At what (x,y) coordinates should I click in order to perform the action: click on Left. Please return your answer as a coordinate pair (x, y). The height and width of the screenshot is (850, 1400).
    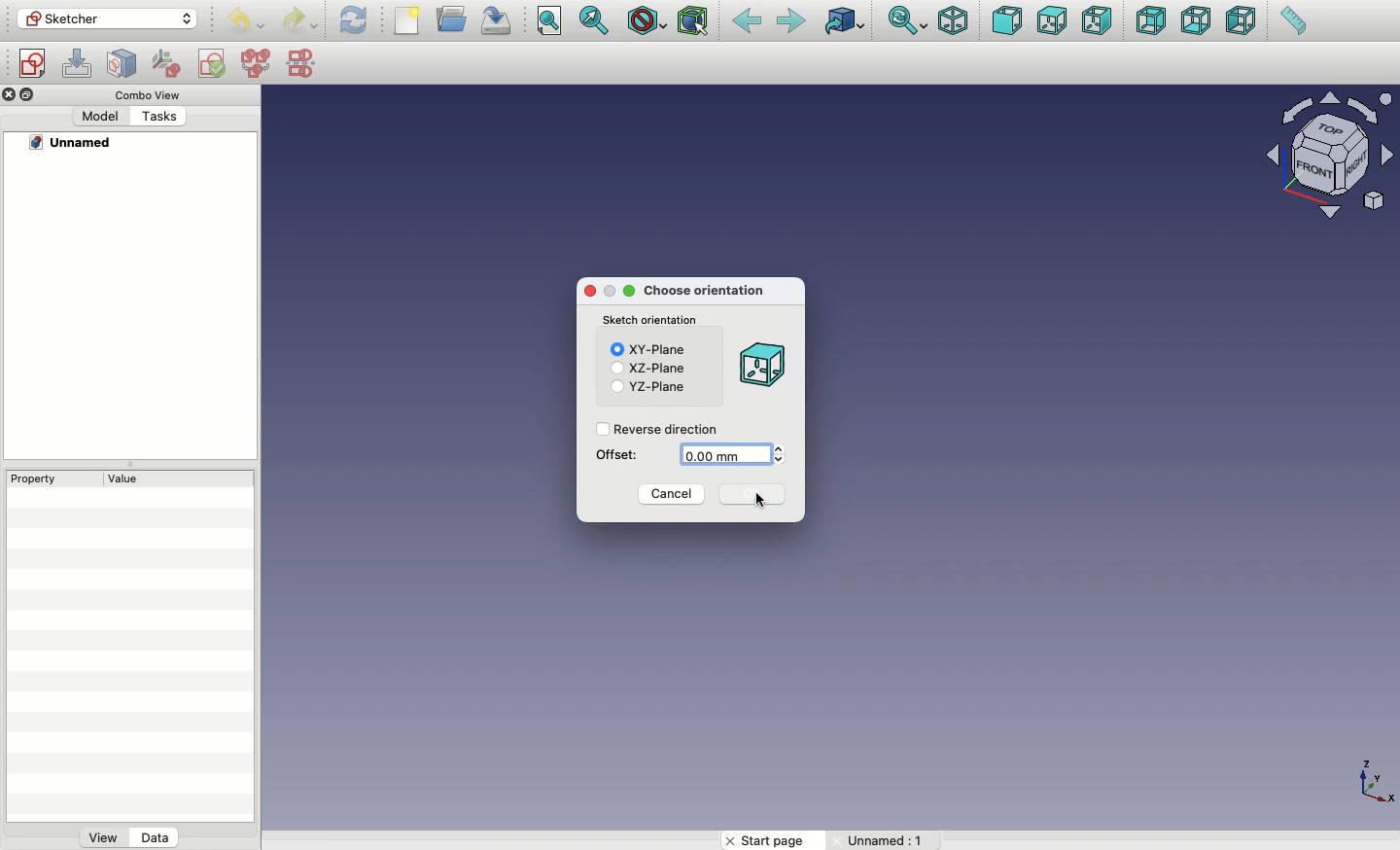
    Looking at the image, I should click on (1242, 22).